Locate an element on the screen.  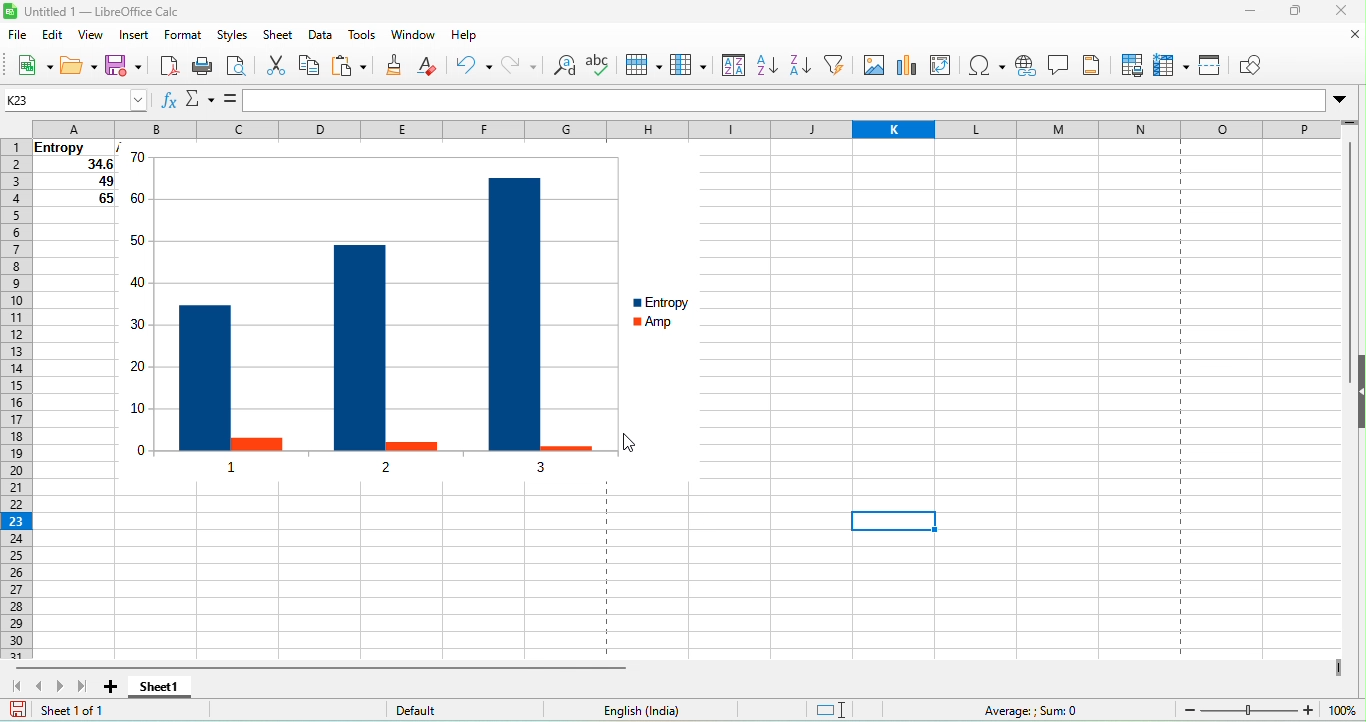
horizontal scroll bar is located at coordinates (323, 667).